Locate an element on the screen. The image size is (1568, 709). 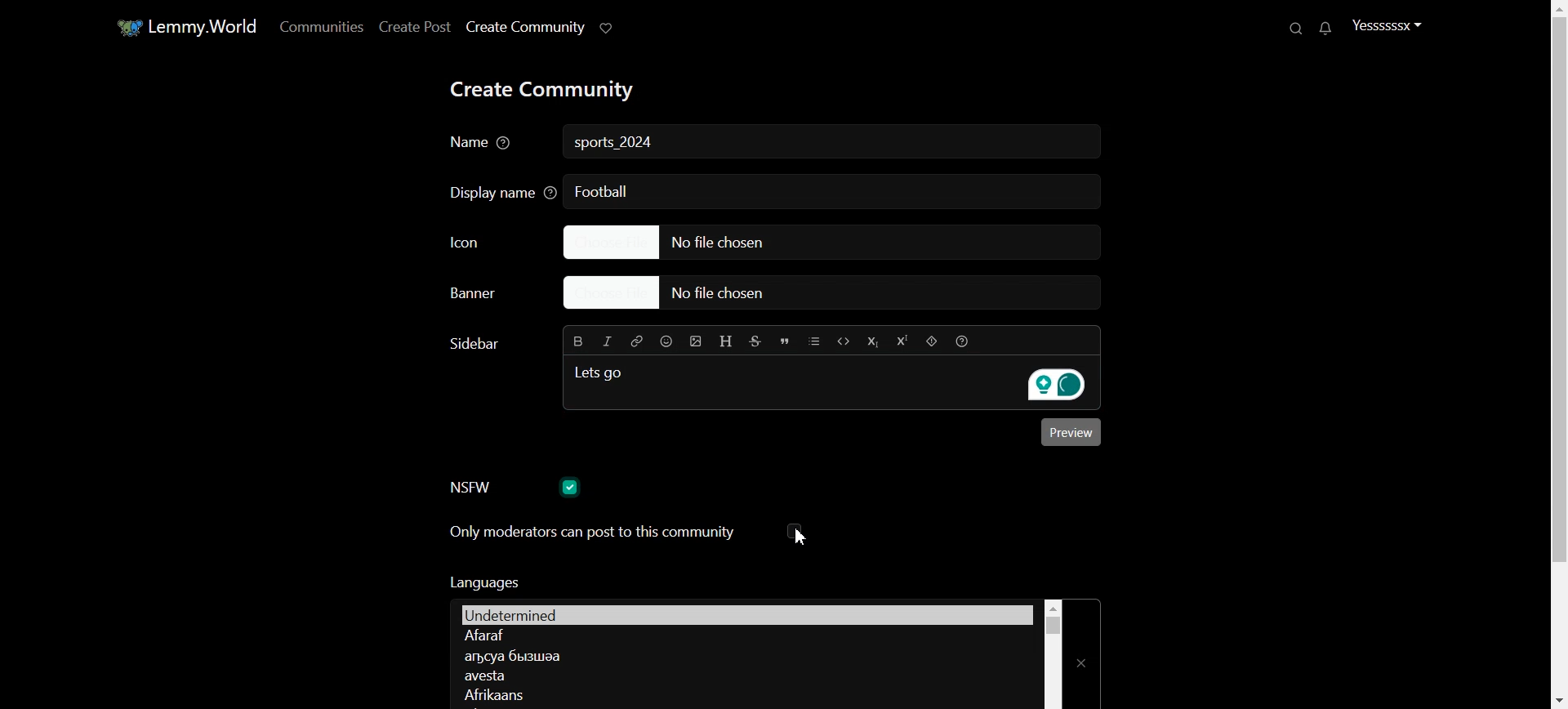
Text is located at coordinates (483, 582).